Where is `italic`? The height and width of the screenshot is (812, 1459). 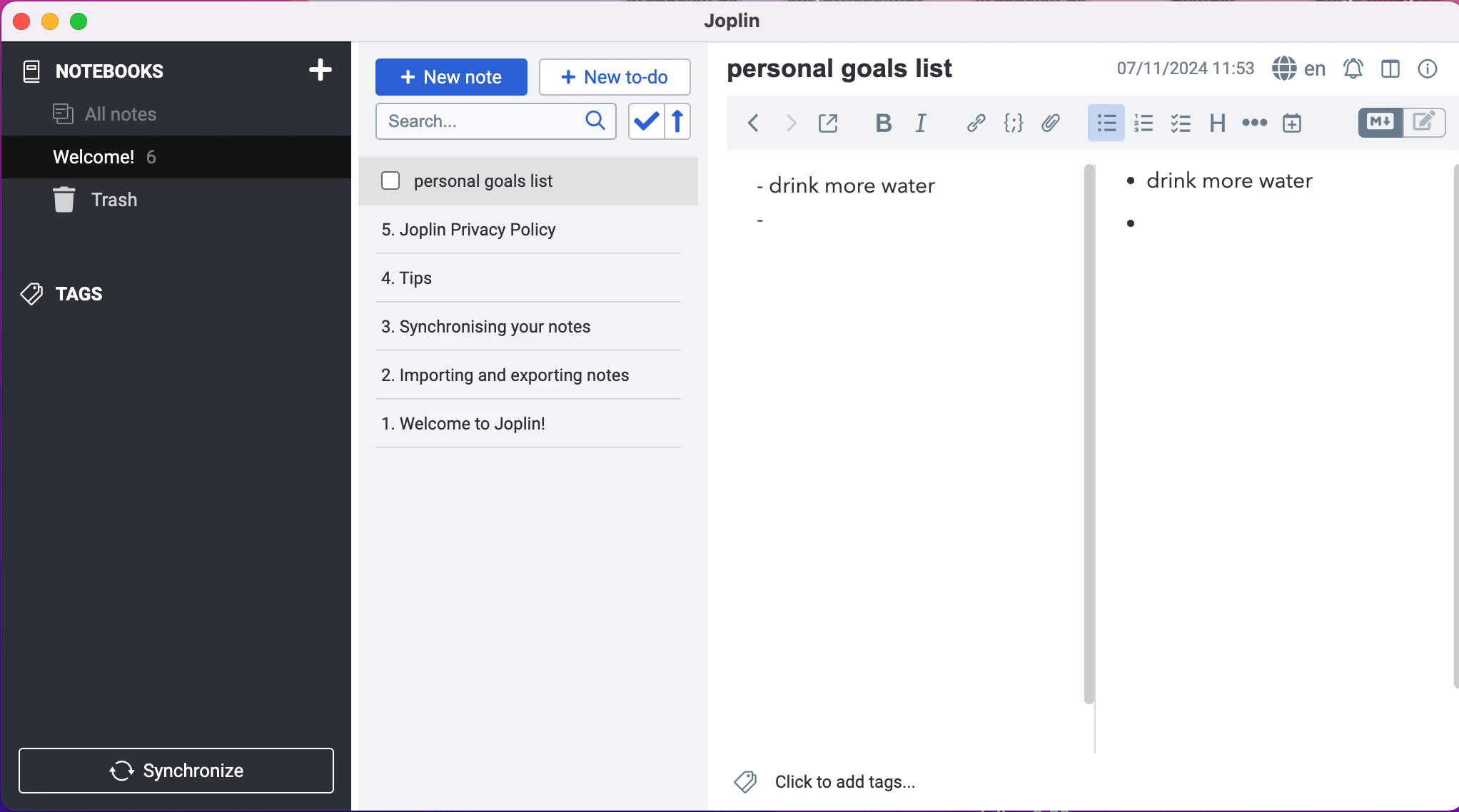 italic is located at coordinates (924, 127).